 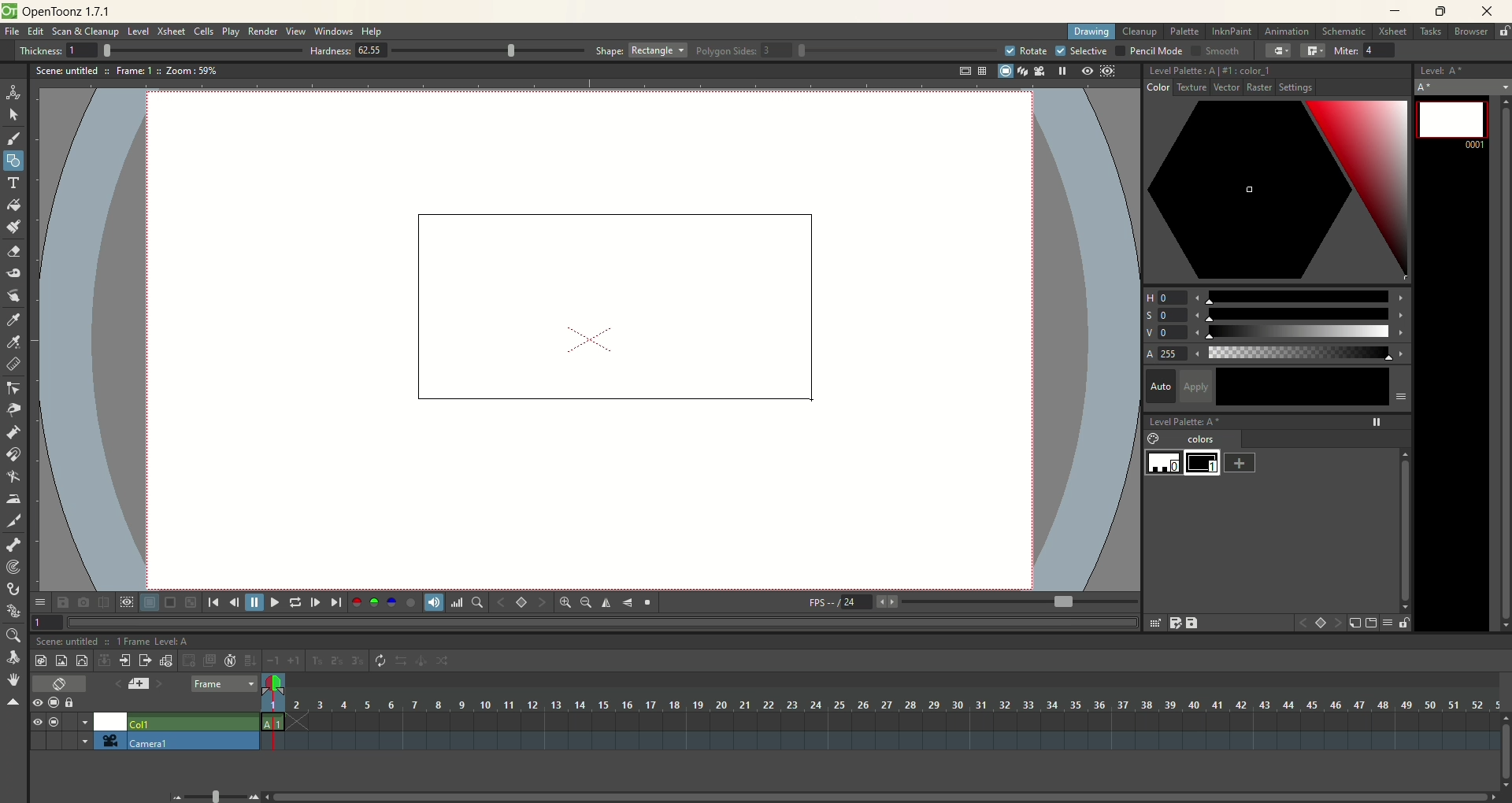 I want to click on iron, so click(x=13, y=498).